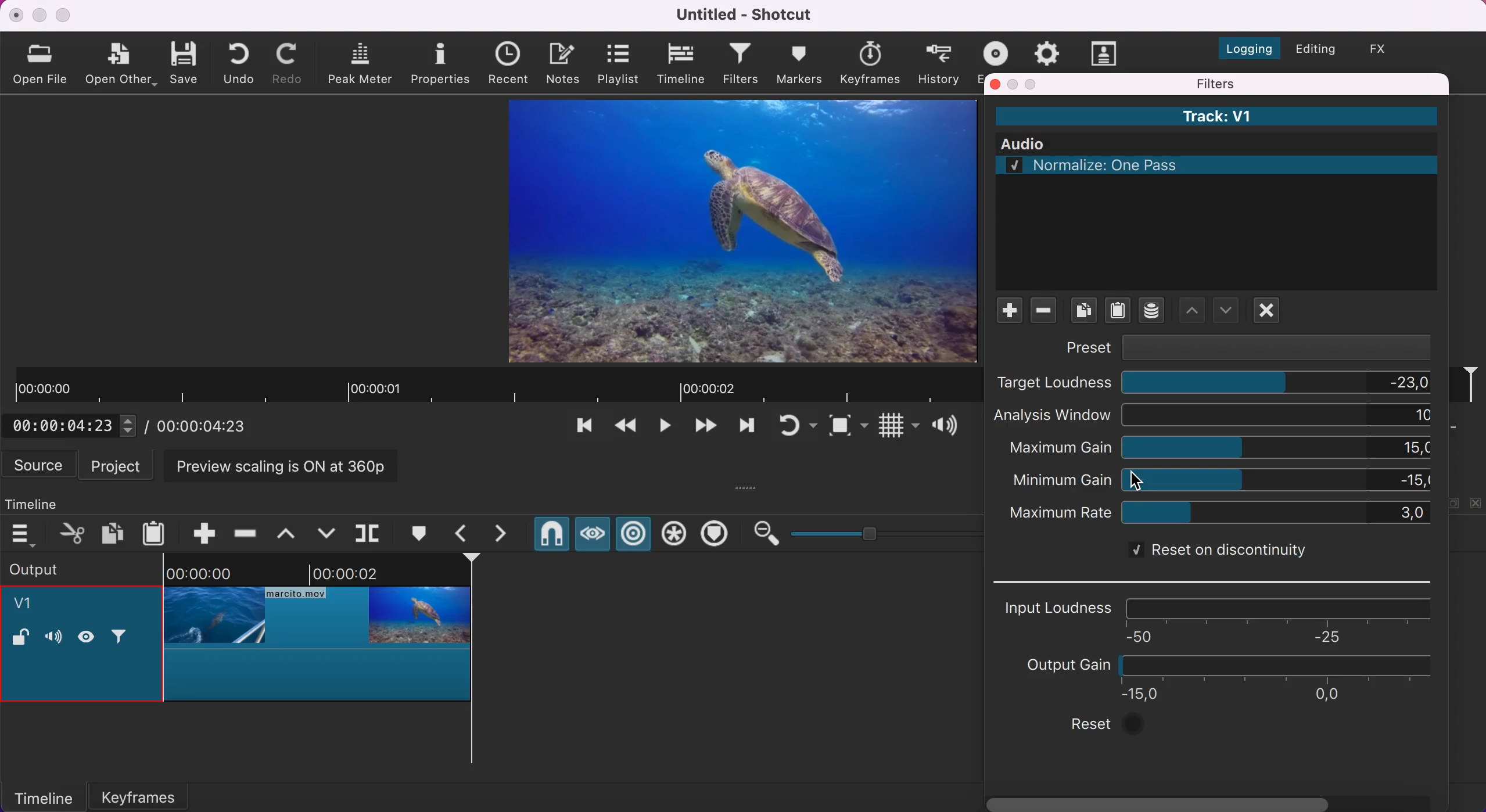 The image size is (1486, 812). I want to click on play quickly backwards, so click(624, 429).